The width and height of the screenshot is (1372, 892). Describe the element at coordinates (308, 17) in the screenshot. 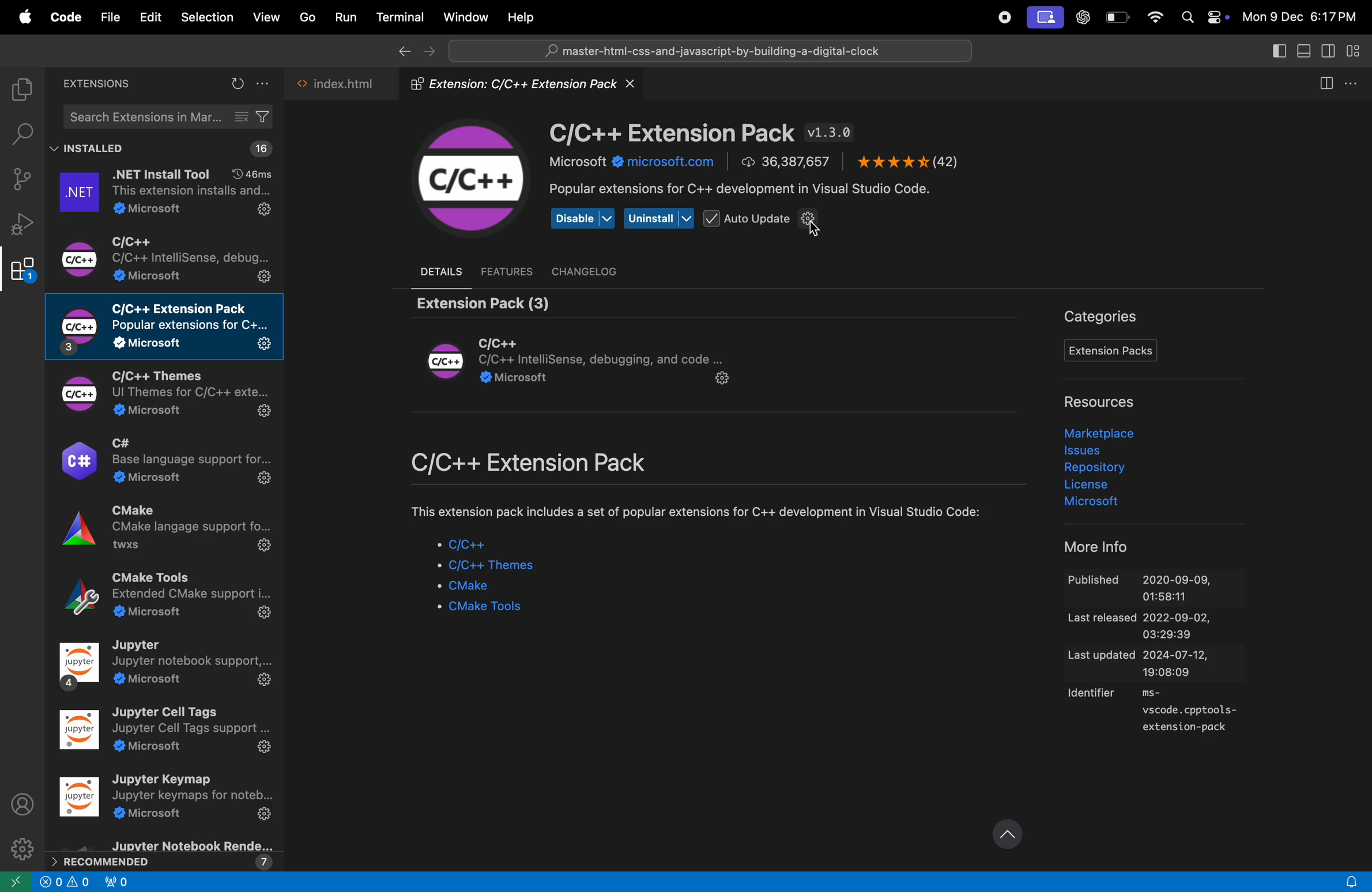

I see `Go` at that location.